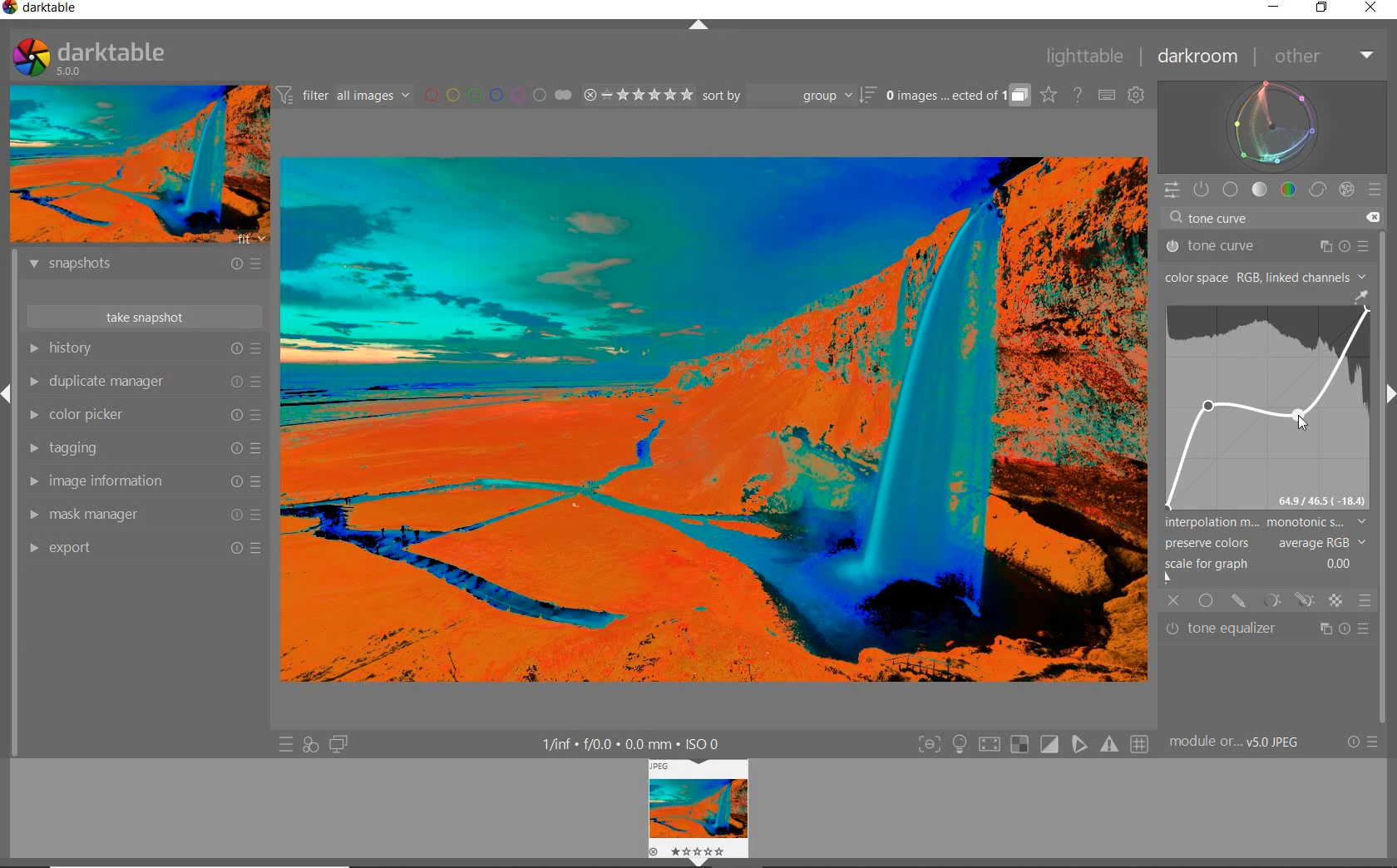  What do you see at coordinates (1078, 95) in the screenshot?
I see `HELP ONLINE` at bounding box center [1078, 95].